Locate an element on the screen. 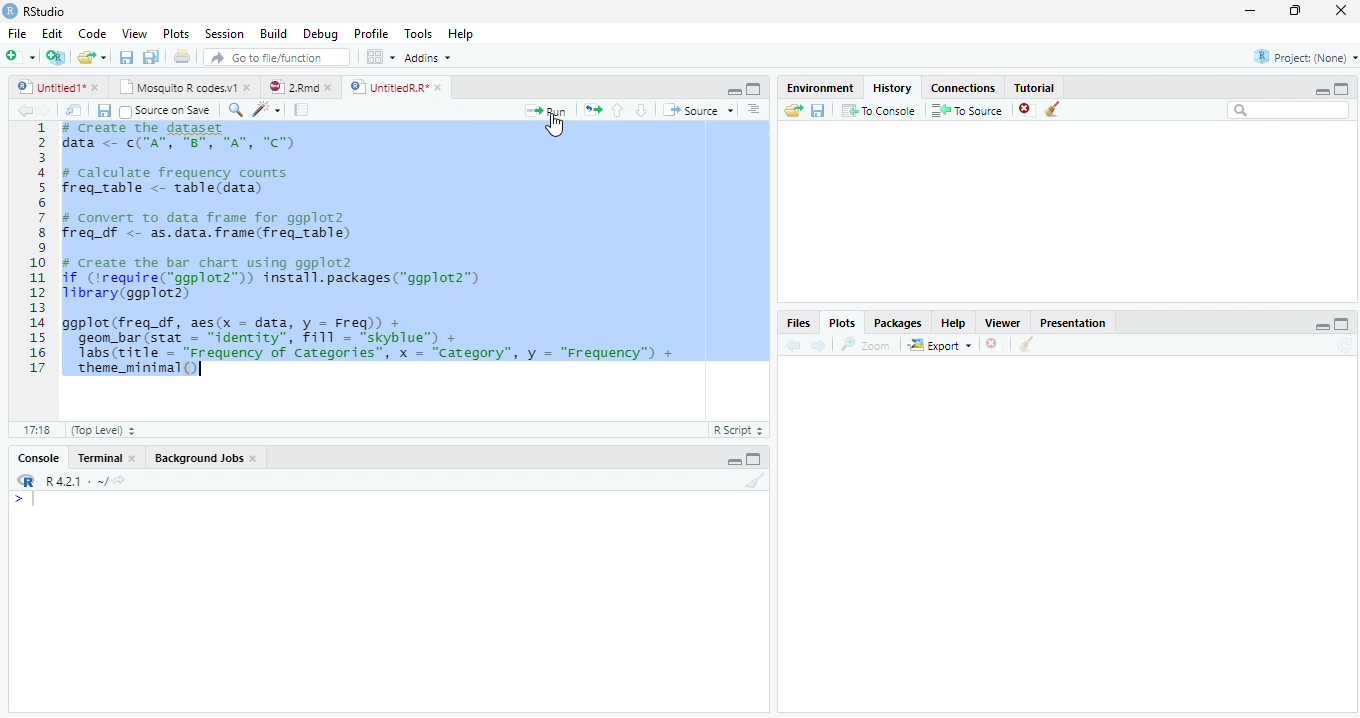 Image resolution: width=1360 pixels, height=718 pixels. Zoom is located at coordinates (236, 111).